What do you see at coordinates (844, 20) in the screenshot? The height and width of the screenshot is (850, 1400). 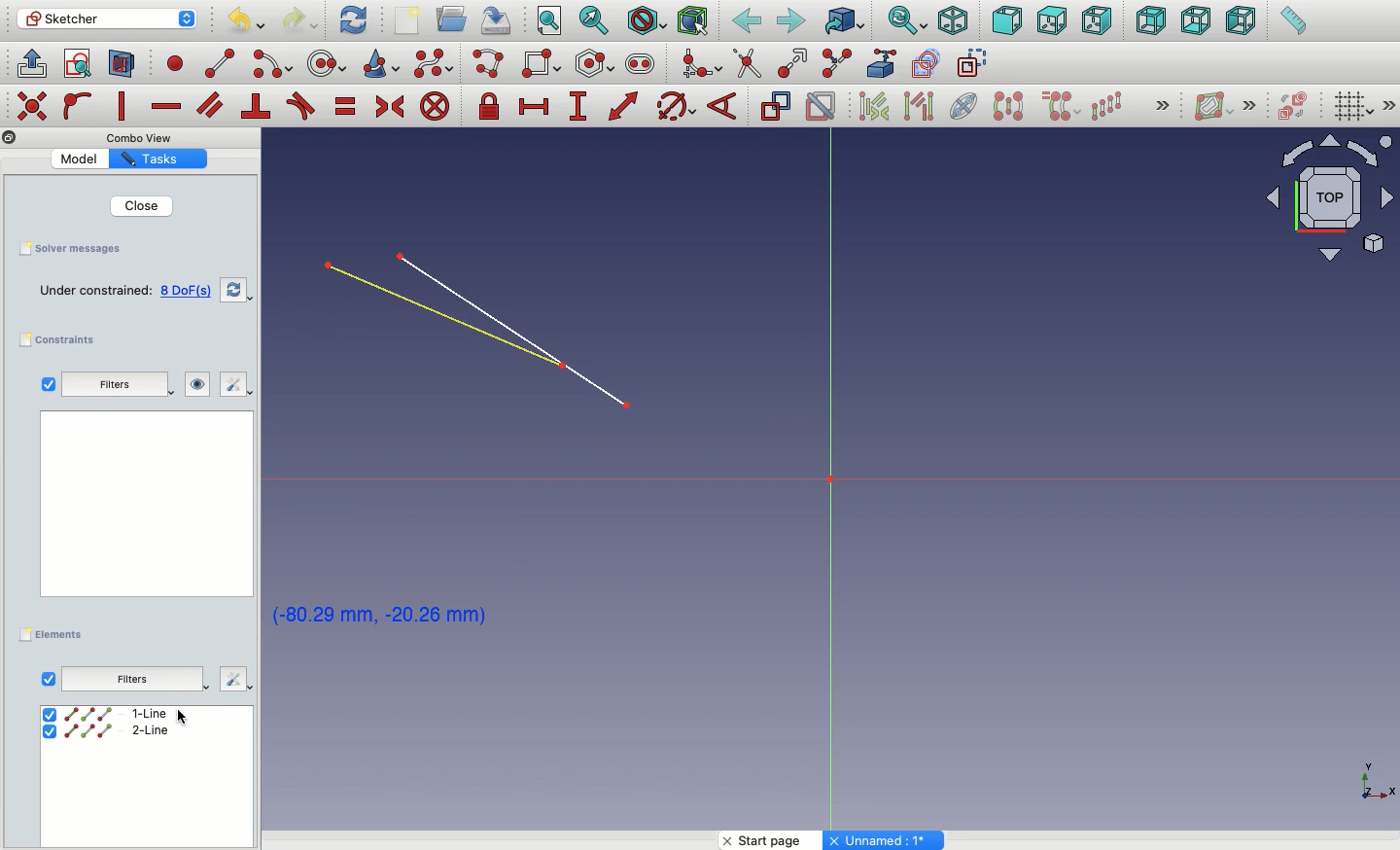 I see `Go to linked object` at bounding box center [844, 20].